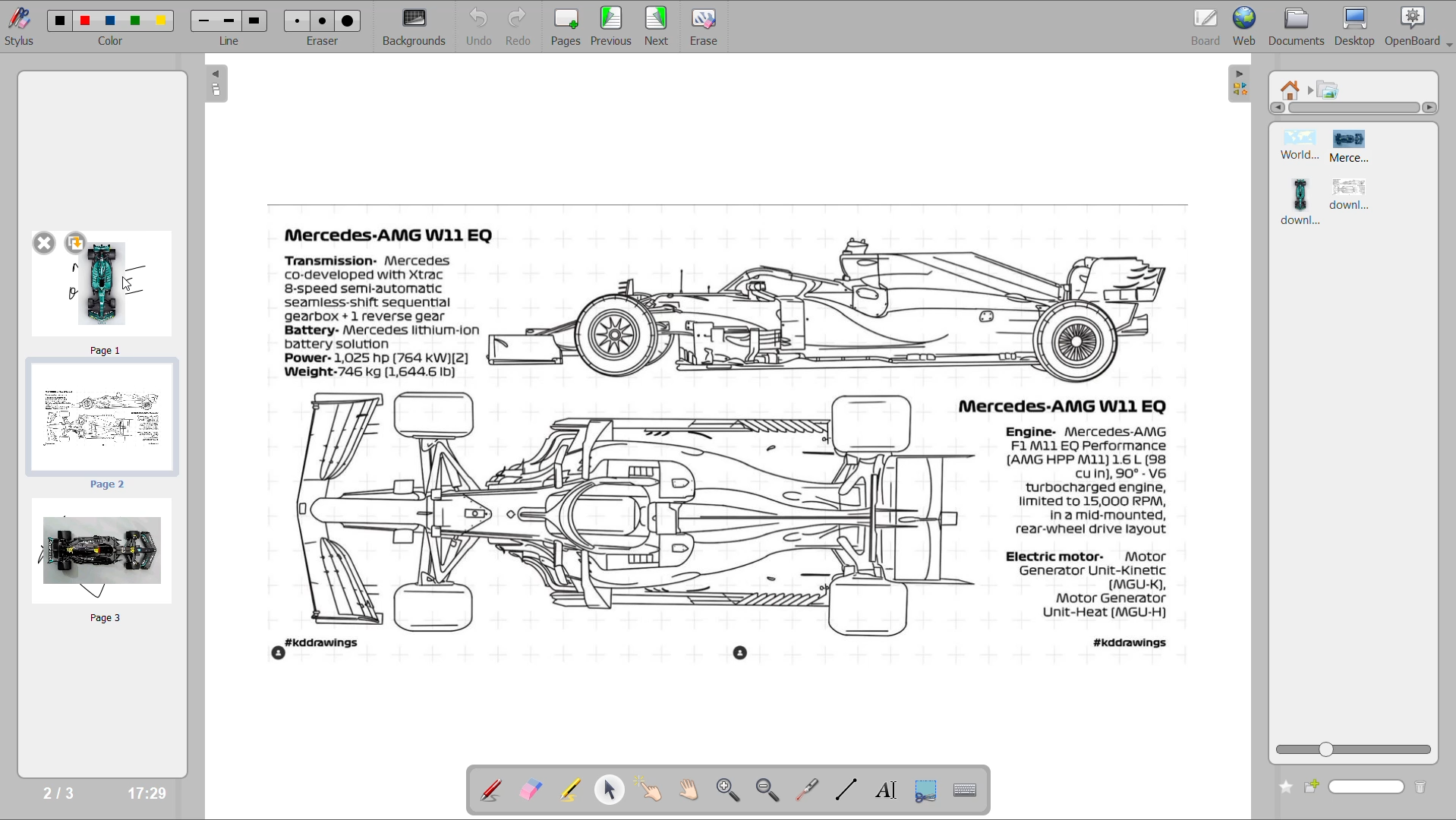 This screenshot has width=1456, height=820. What do you see at coordinates (388, 319) in the screenshot?
I see `Transmission- NVierceades
co-developed with Xtrac
8-speed seml-automatic
seamless-shift sequential
gearbox + 1 reverse gear
Battery- Mercedes lithium-ion
battery solution
power- 1,025 hp (764 KW)[2]
Weight-746 kg (1,634.6 Ib)` at bounding box center [388, 319].